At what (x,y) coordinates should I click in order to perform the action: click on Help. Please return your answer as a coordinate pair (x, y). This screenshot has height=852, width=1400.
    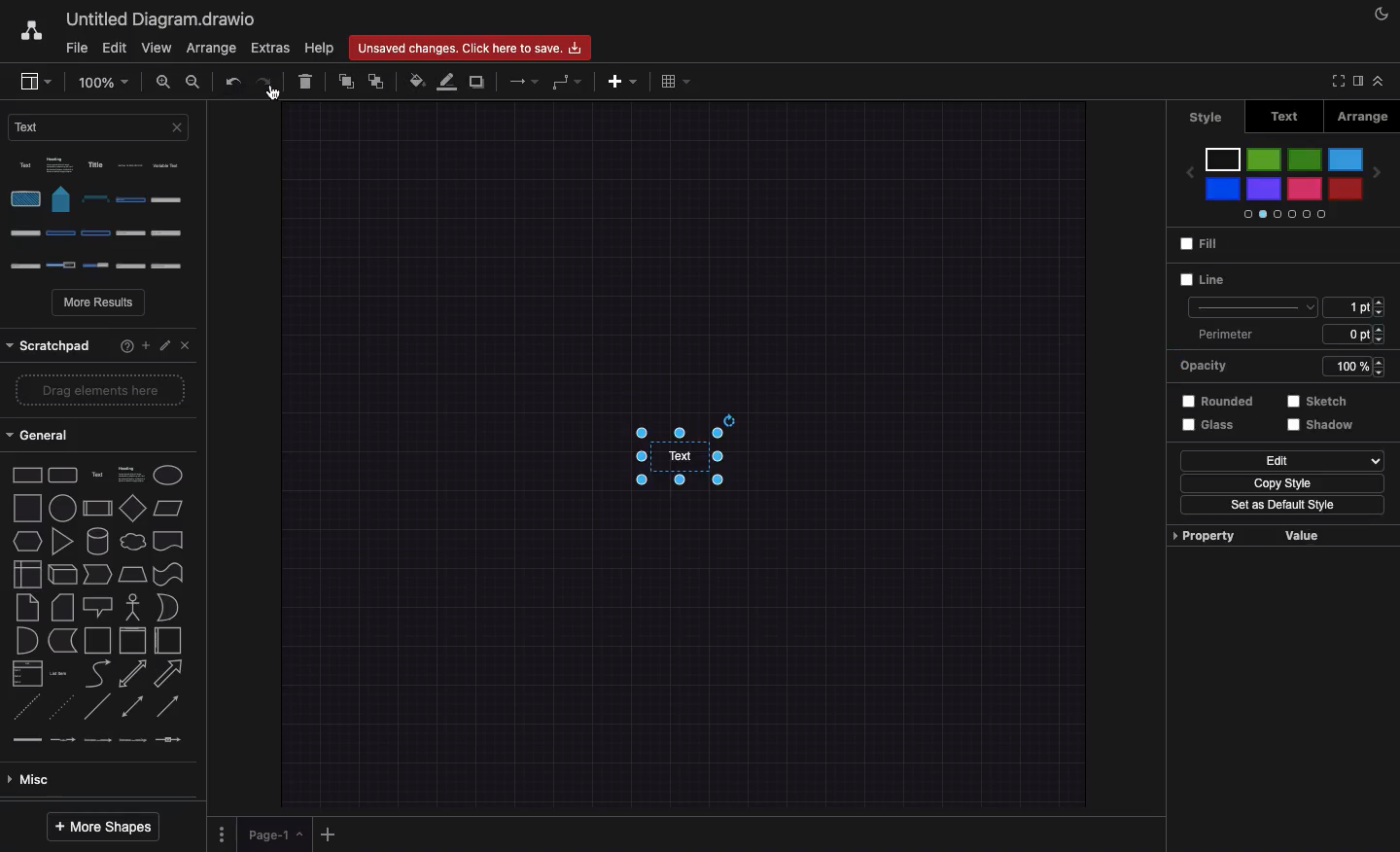
    Looking at the image, I should click on (320, 48).